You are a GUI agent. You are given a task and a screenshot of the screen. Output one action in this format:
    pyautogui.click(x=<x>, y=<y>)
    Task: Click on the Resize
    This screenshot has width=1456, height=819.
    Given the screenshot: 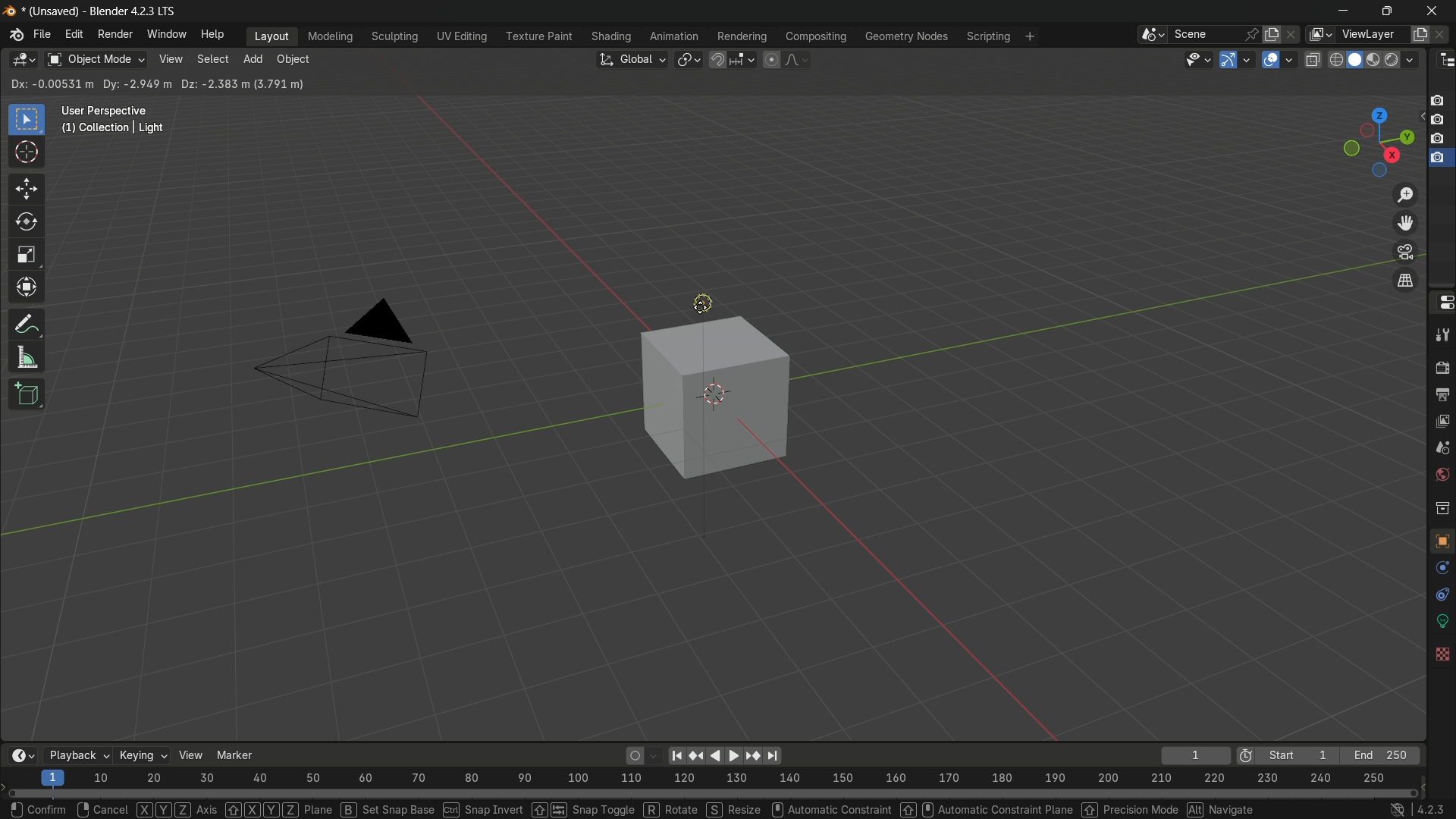 What is the action you would take?
    pyautogui.click(x=733, y=809)
    